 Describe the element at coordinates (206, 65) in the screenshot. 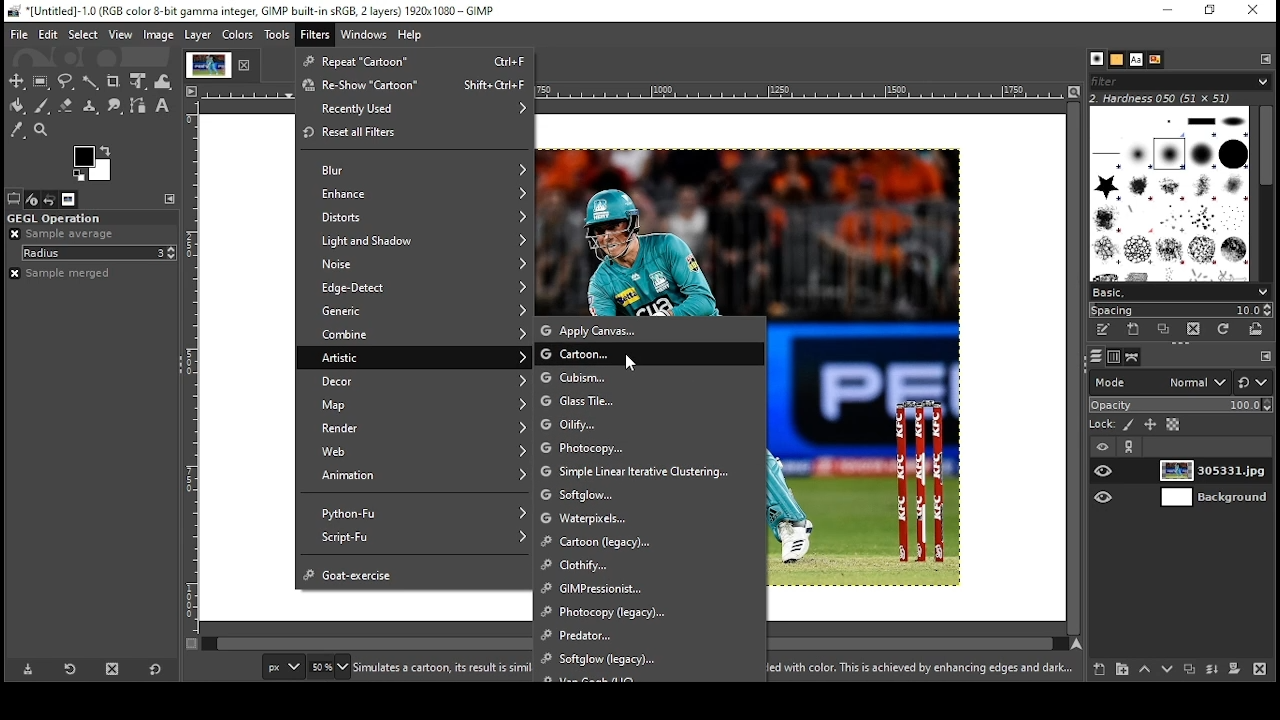

I see `tab` at that location.